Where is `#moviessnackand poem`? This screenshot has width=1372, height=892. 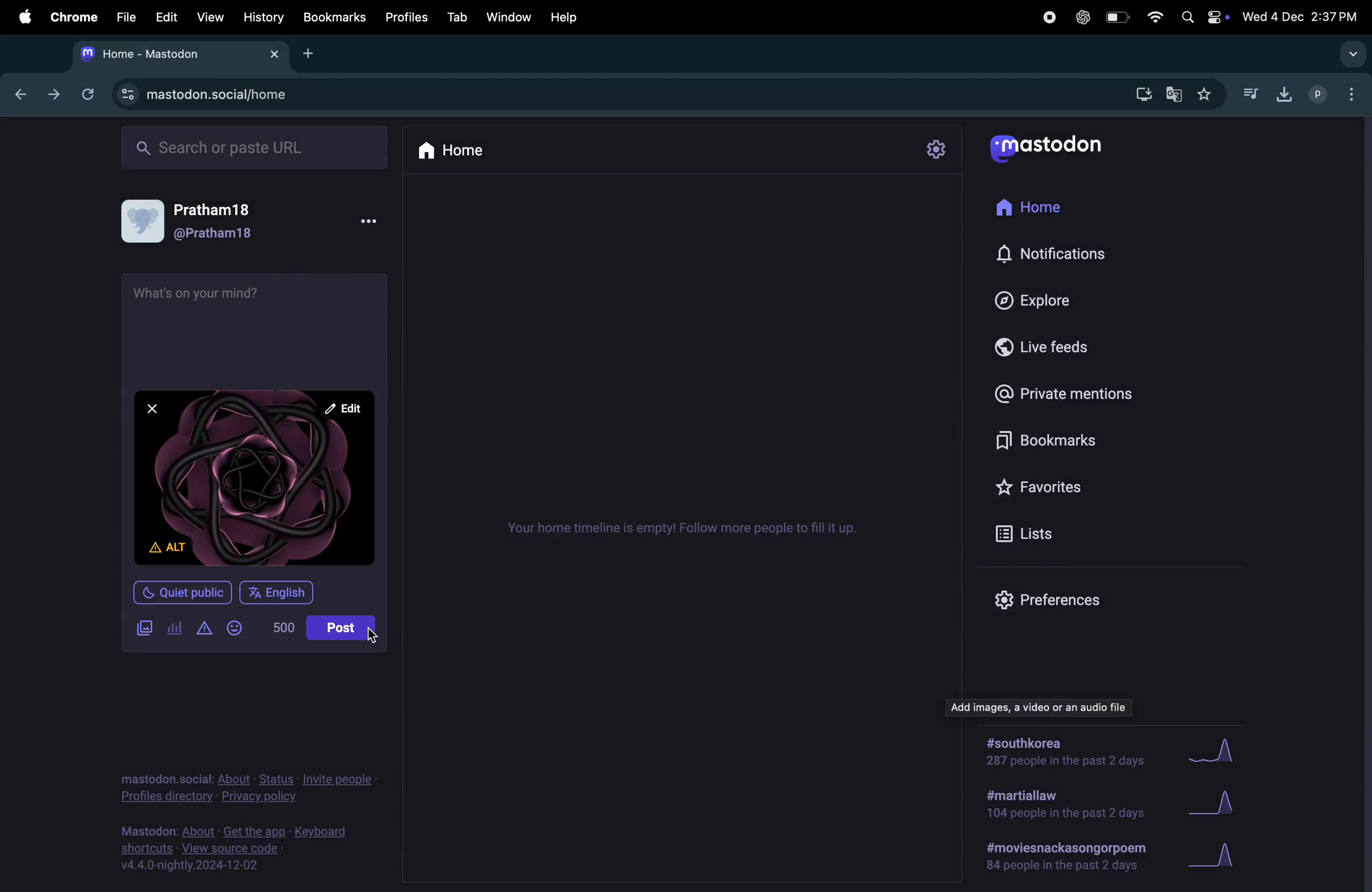 #moviessnackand poem is located at coordinates (1071, 855).